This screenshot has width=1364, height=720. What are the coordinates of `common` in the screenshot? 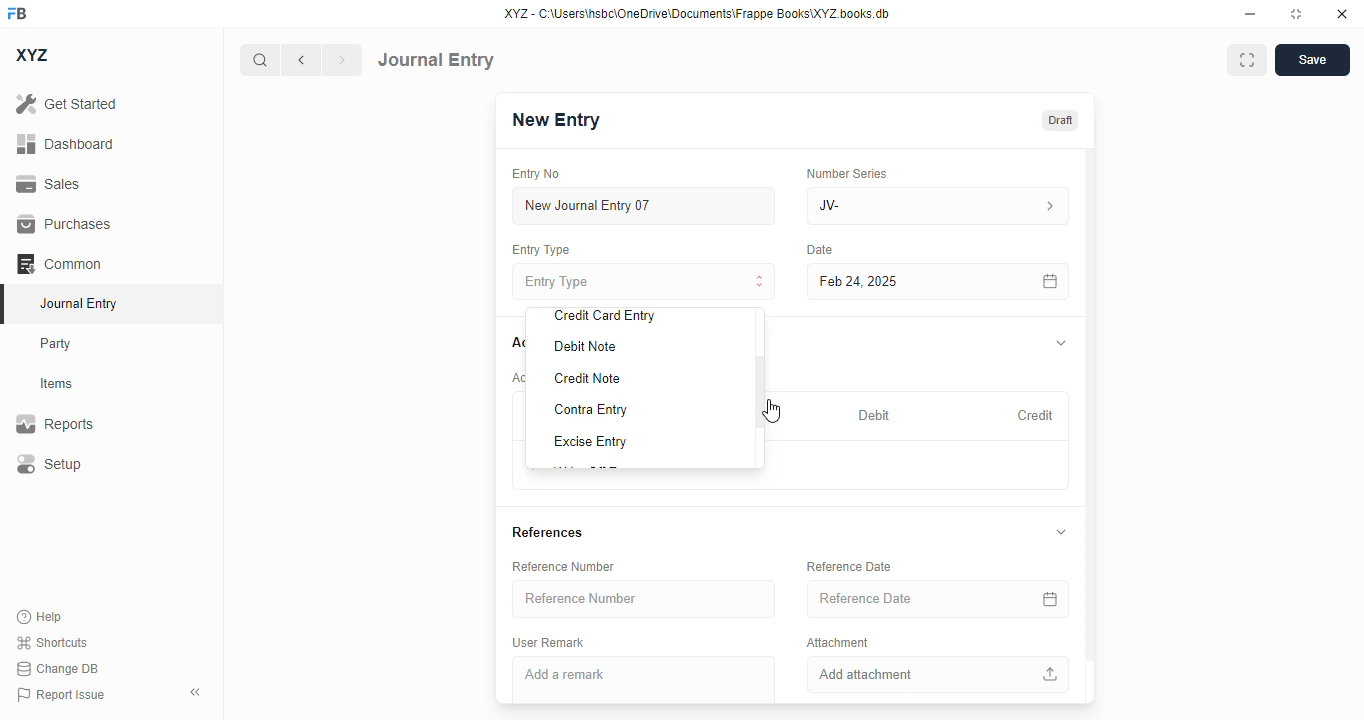 It's located at (59, 263).